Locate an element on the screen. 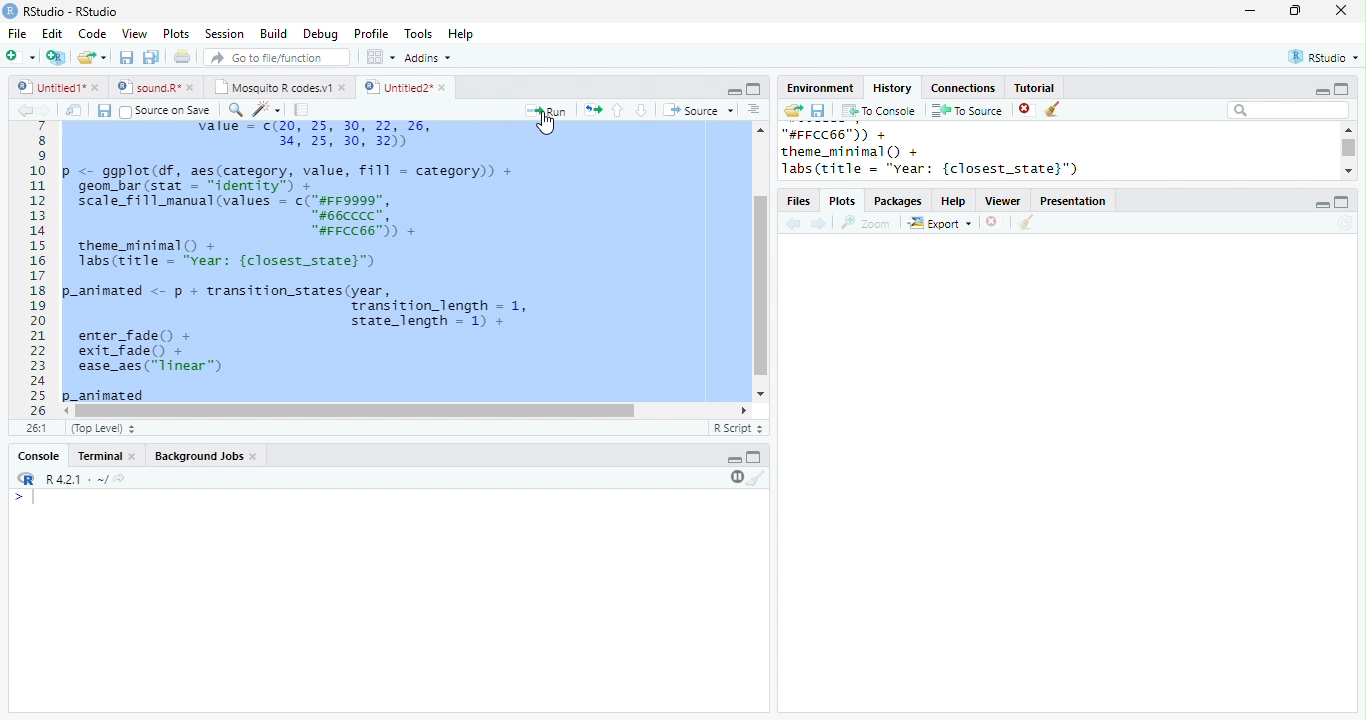 The height and width of the screenshot is (720, 1366). Code is located at coordinates (93, 33).